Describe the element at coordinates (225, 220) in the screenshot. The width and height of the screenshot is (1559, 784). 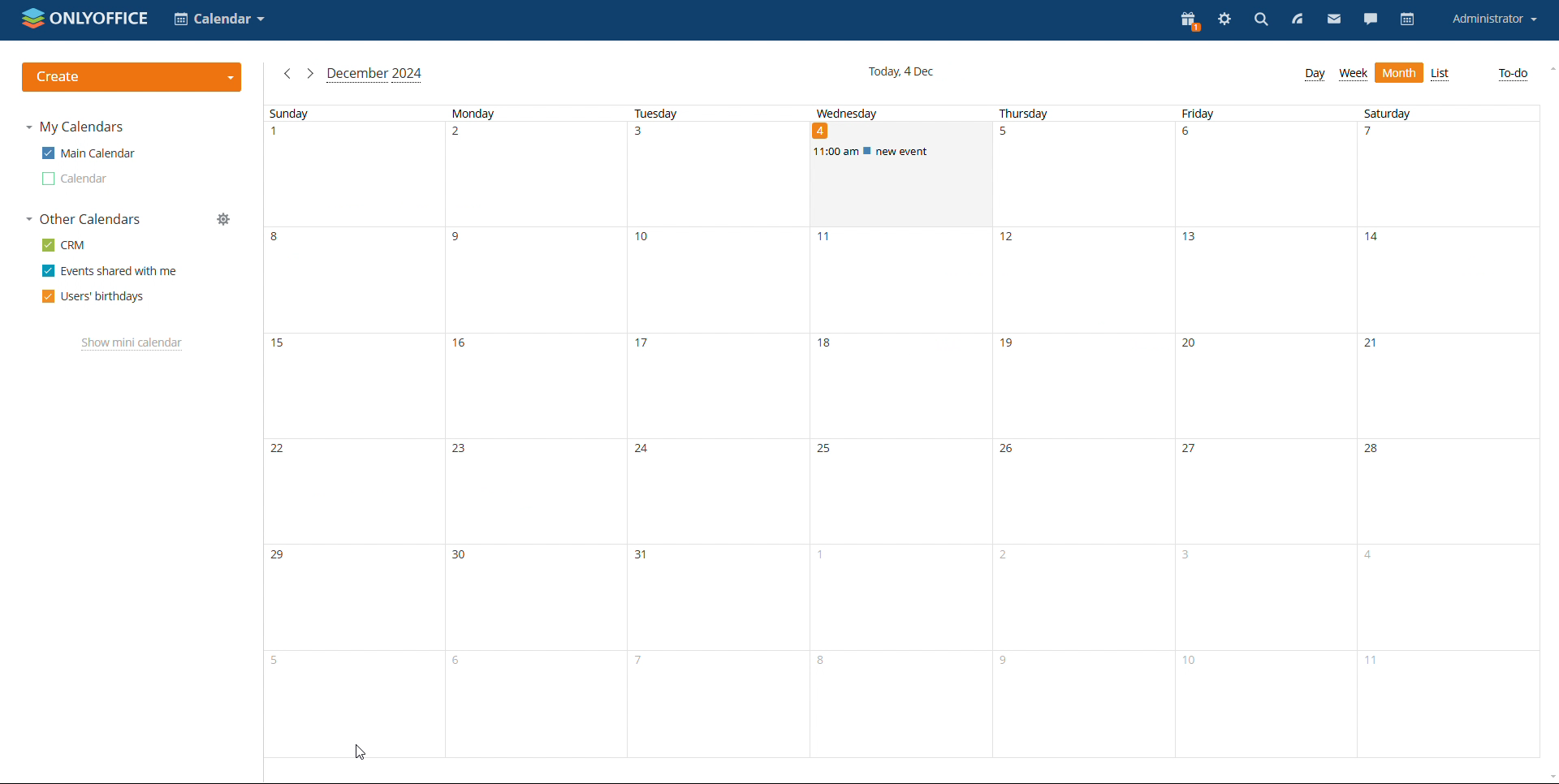
I see `manage` at that location.